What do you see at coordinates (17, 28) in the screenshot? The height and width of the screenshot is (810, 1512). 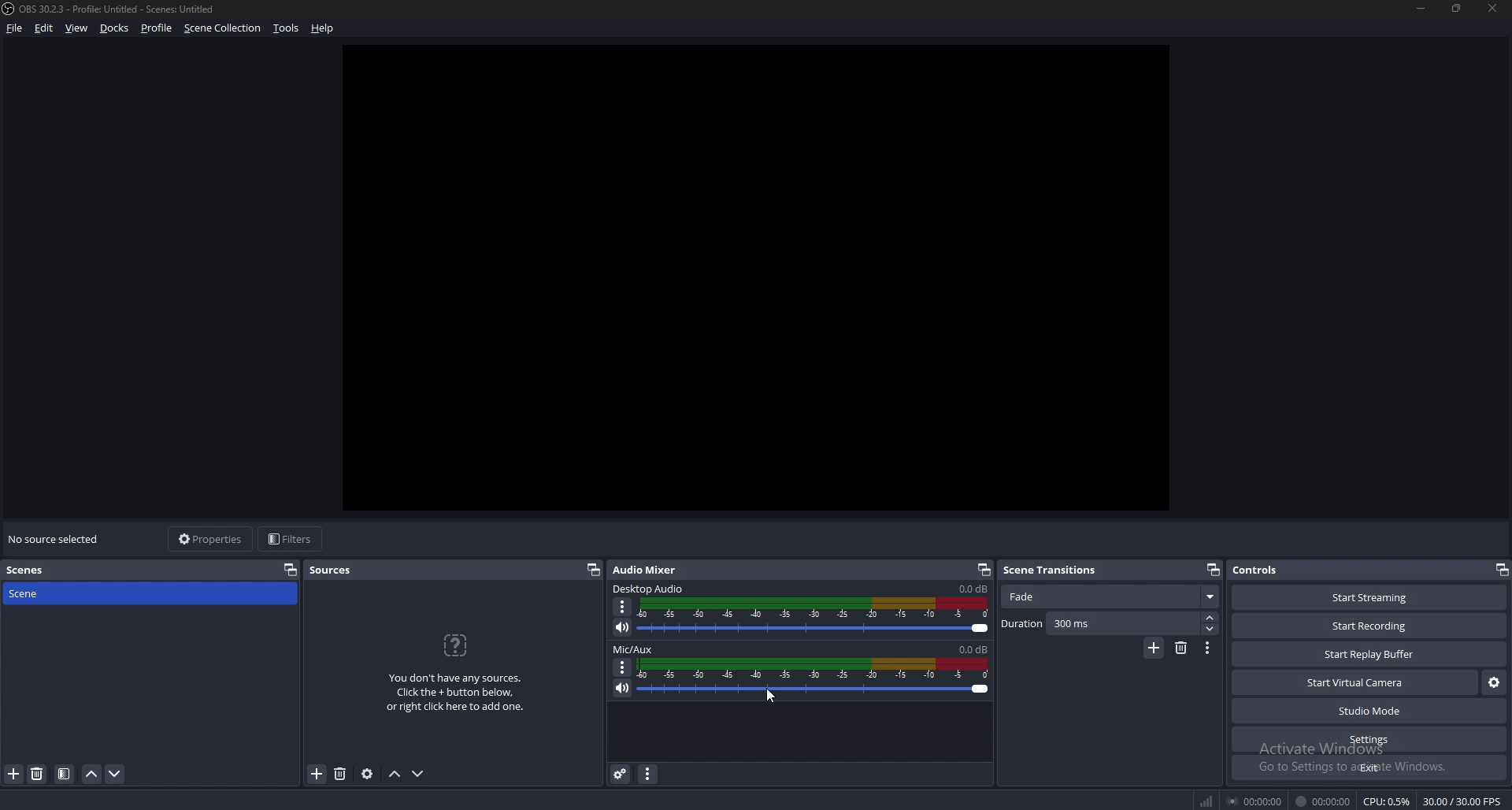 I see `file` at bounding box center [17, 28].